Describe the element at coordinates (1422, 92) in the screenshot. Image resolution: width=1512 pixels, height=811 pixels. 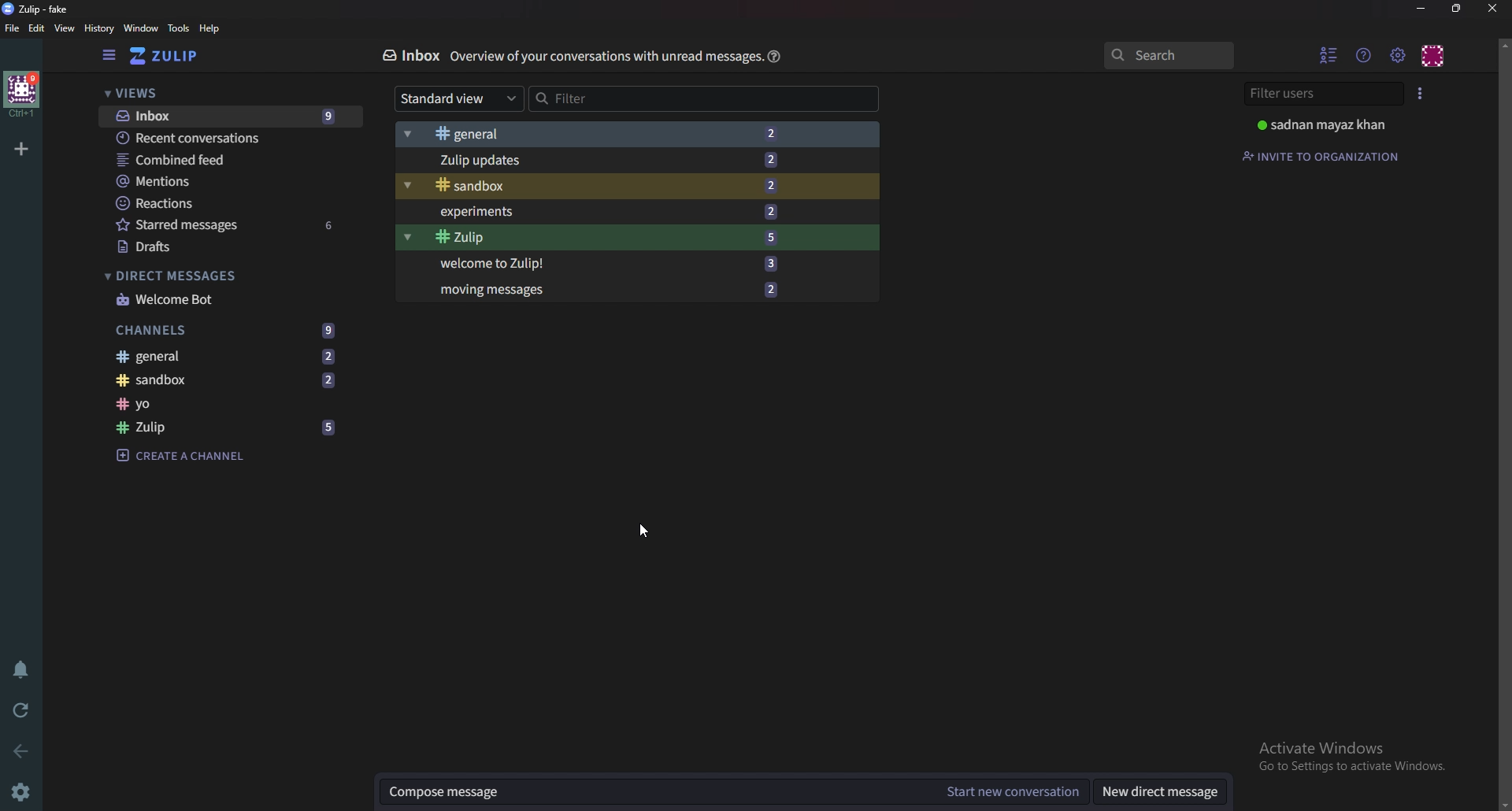
I see `User list style` at that location.